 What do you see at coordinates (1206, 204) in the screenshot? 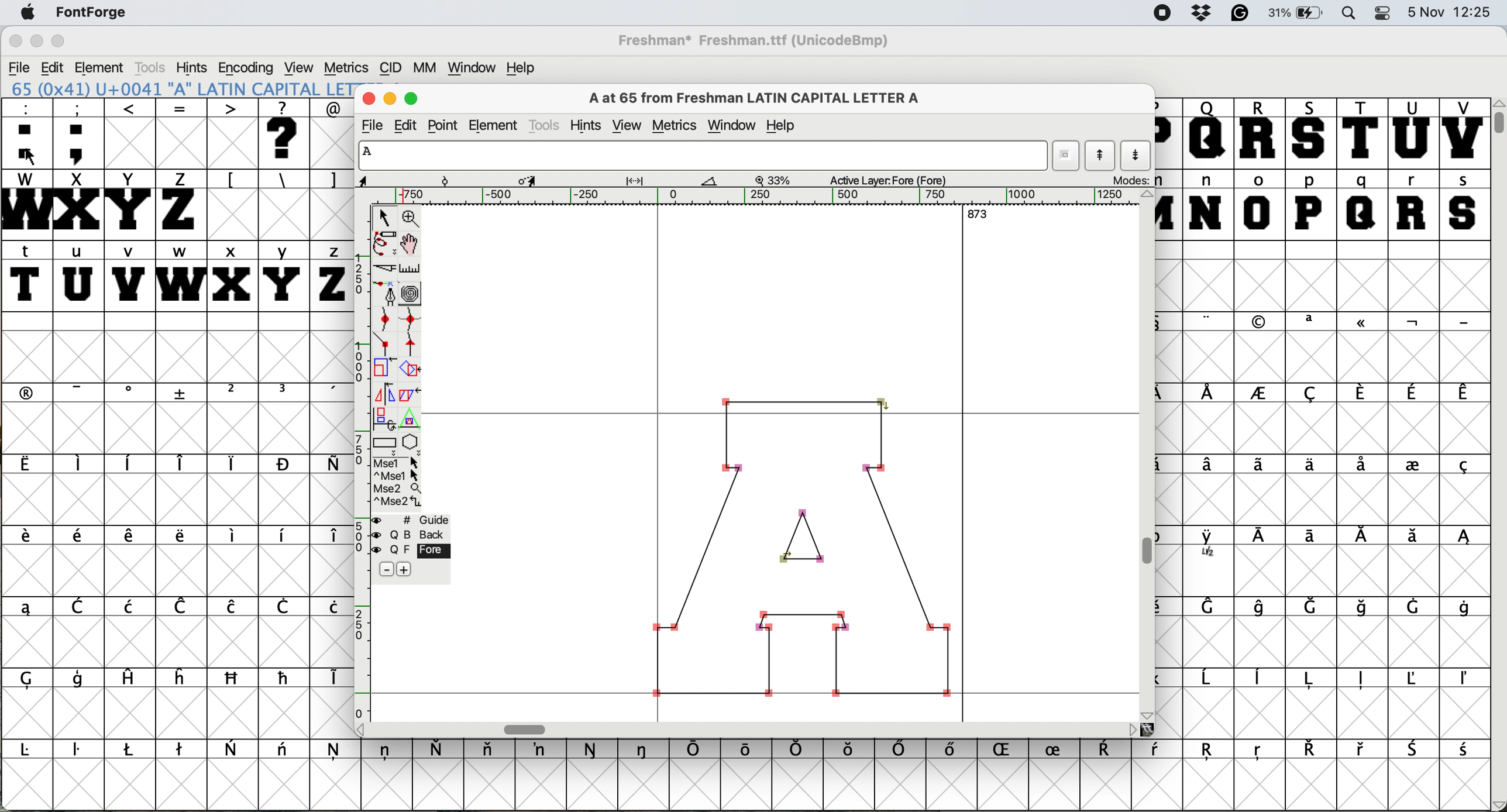
I see `n` at bounding box center [1206, 204].